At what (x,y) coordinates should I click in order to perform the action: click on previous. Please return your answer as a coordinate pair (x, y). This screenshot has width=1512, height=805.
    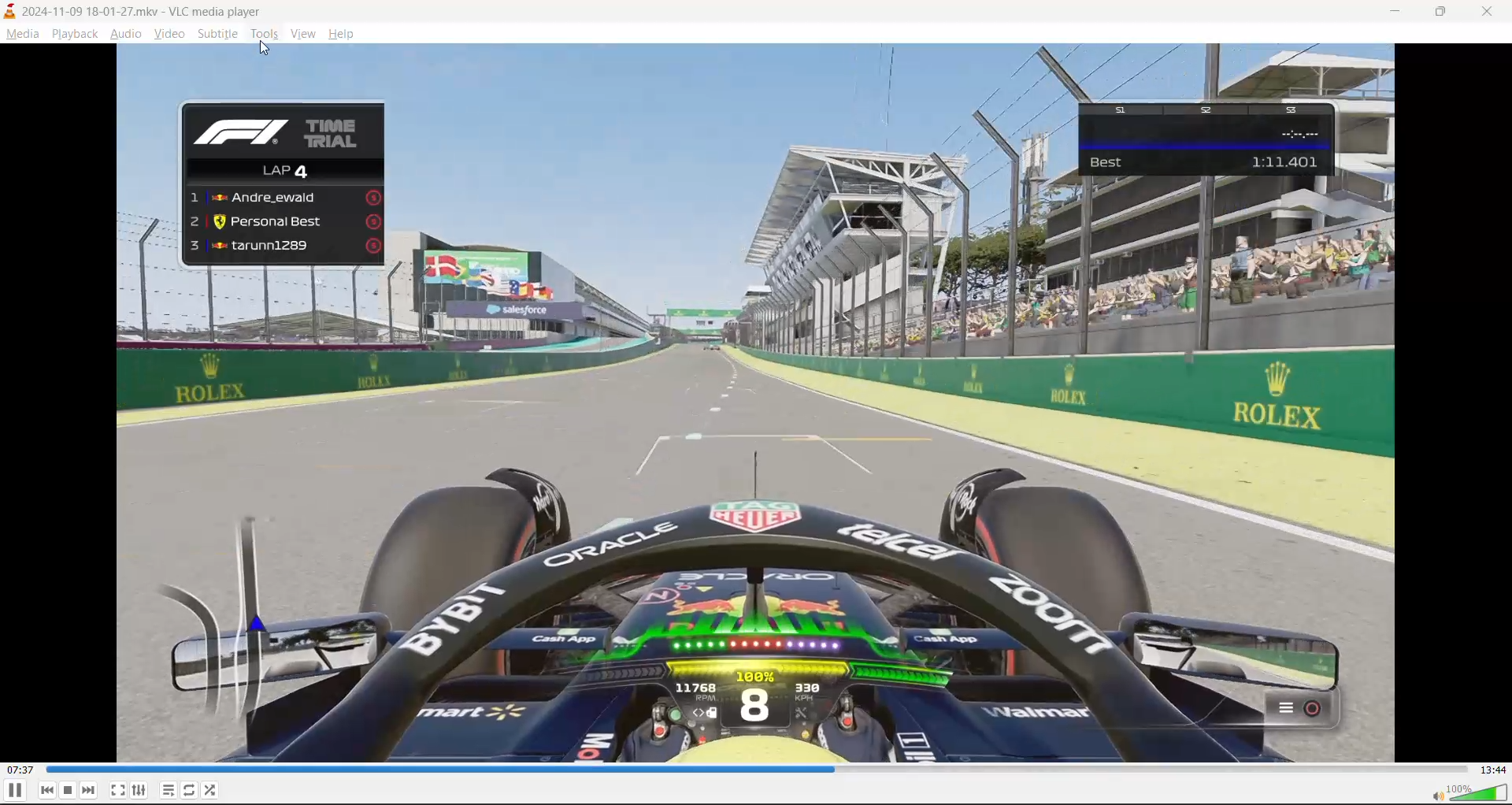
    Looking at the image, I should click on (47, 790).